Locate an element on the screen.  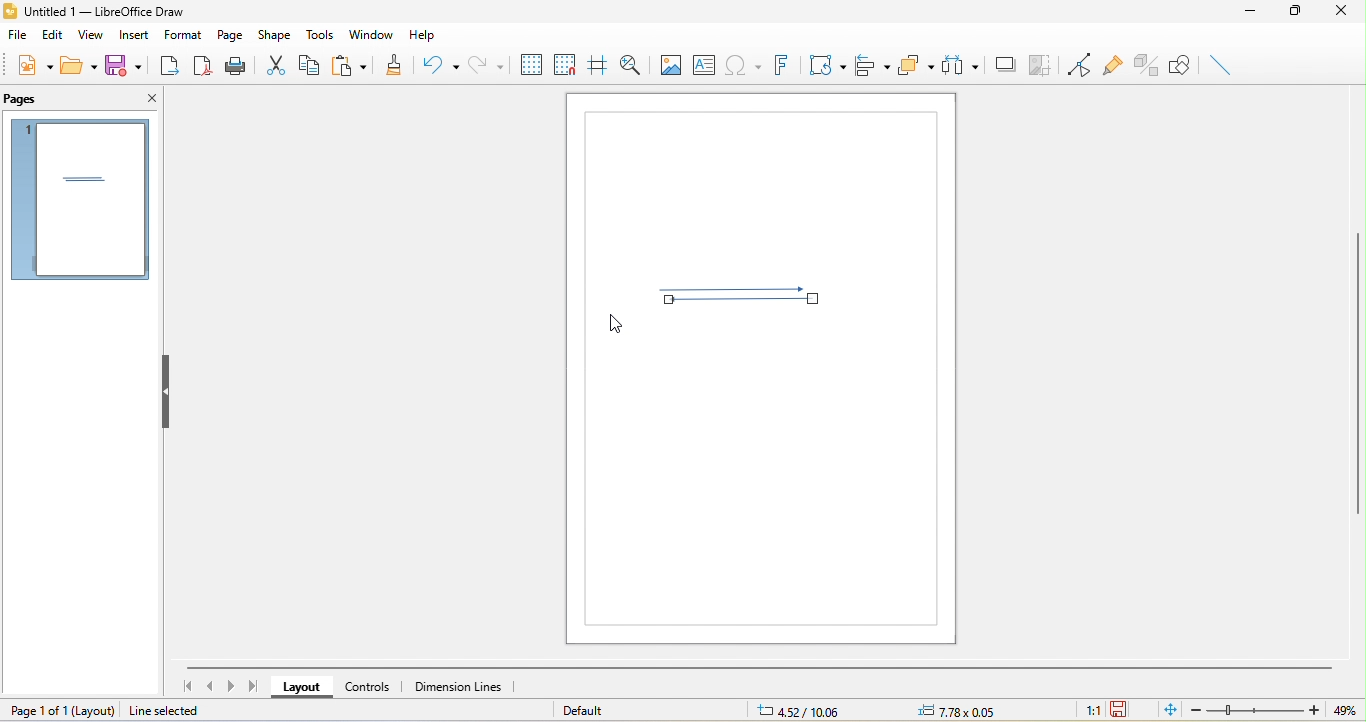
gluepoint function is located at coordinates (1111, 62).